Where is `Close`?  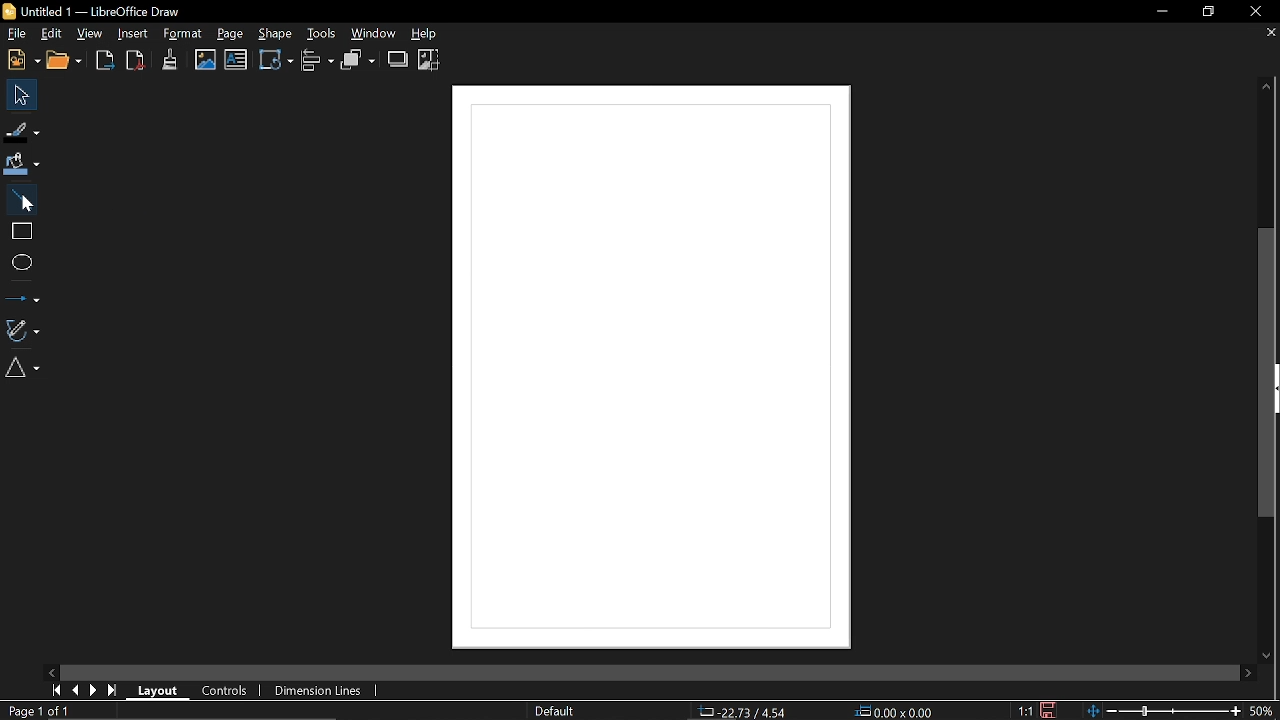 Close is located at coordinates (1256, 13).